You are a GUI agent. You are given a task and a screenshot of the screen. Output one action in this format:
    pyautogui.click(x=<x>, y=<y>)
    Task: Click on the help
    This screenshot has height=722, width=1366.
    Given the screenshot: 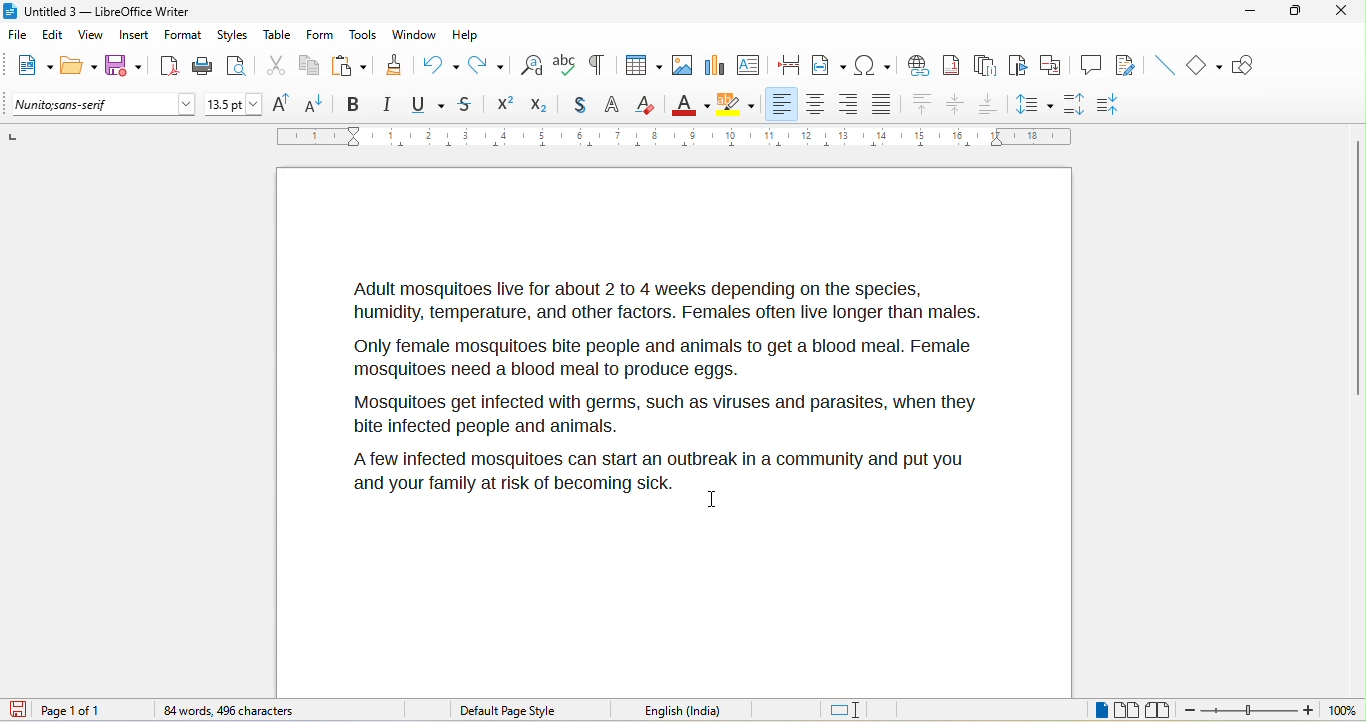 What is the action you would take?
    pyautogui.click(x=464, y=34)
    